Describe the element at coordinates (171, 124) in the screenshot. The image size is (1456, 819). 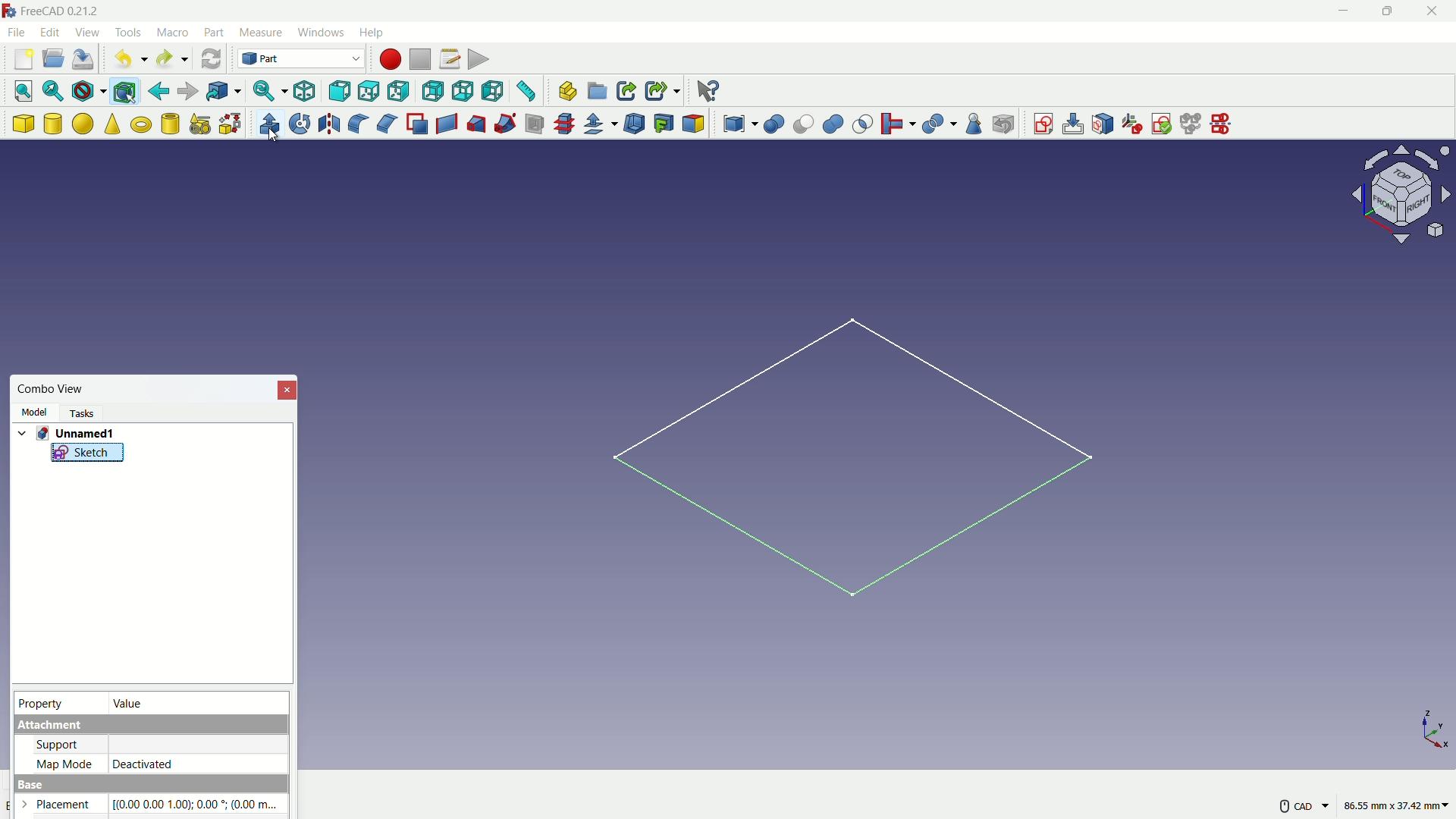
I see `hollow cylinder` at that location.